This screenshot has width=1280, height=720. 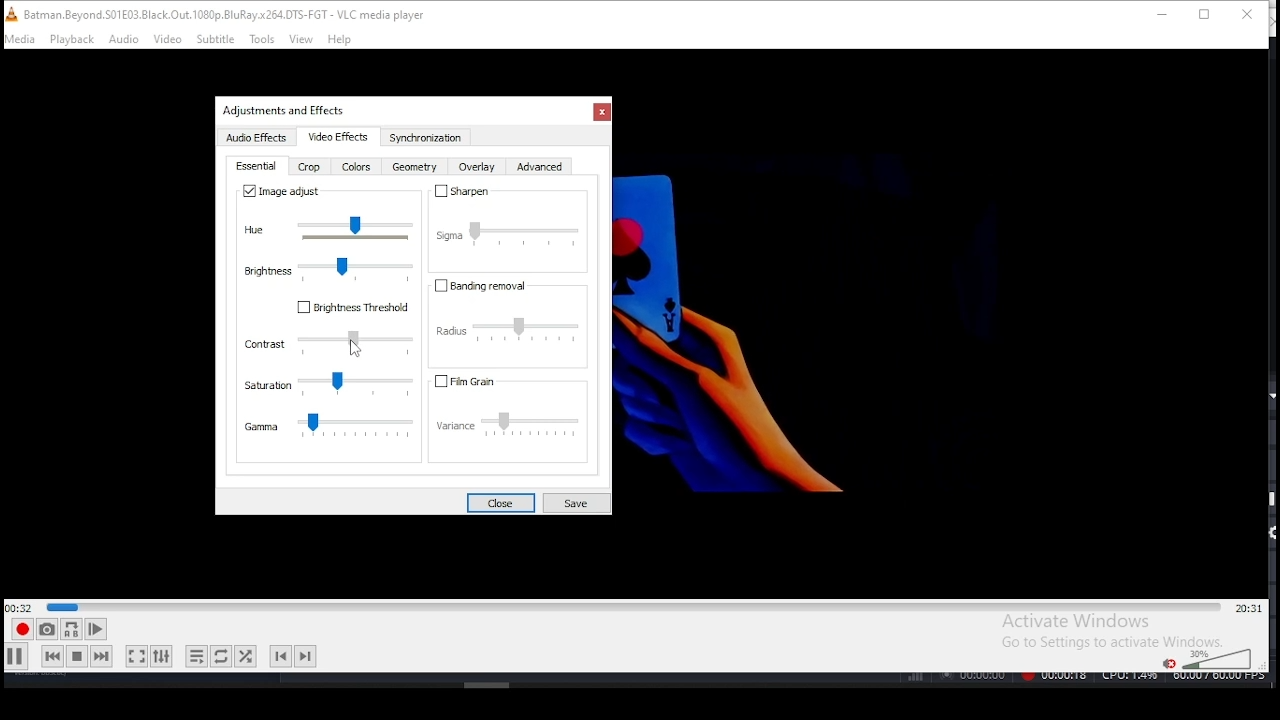 I want to click on , so click(x=288, y=109).